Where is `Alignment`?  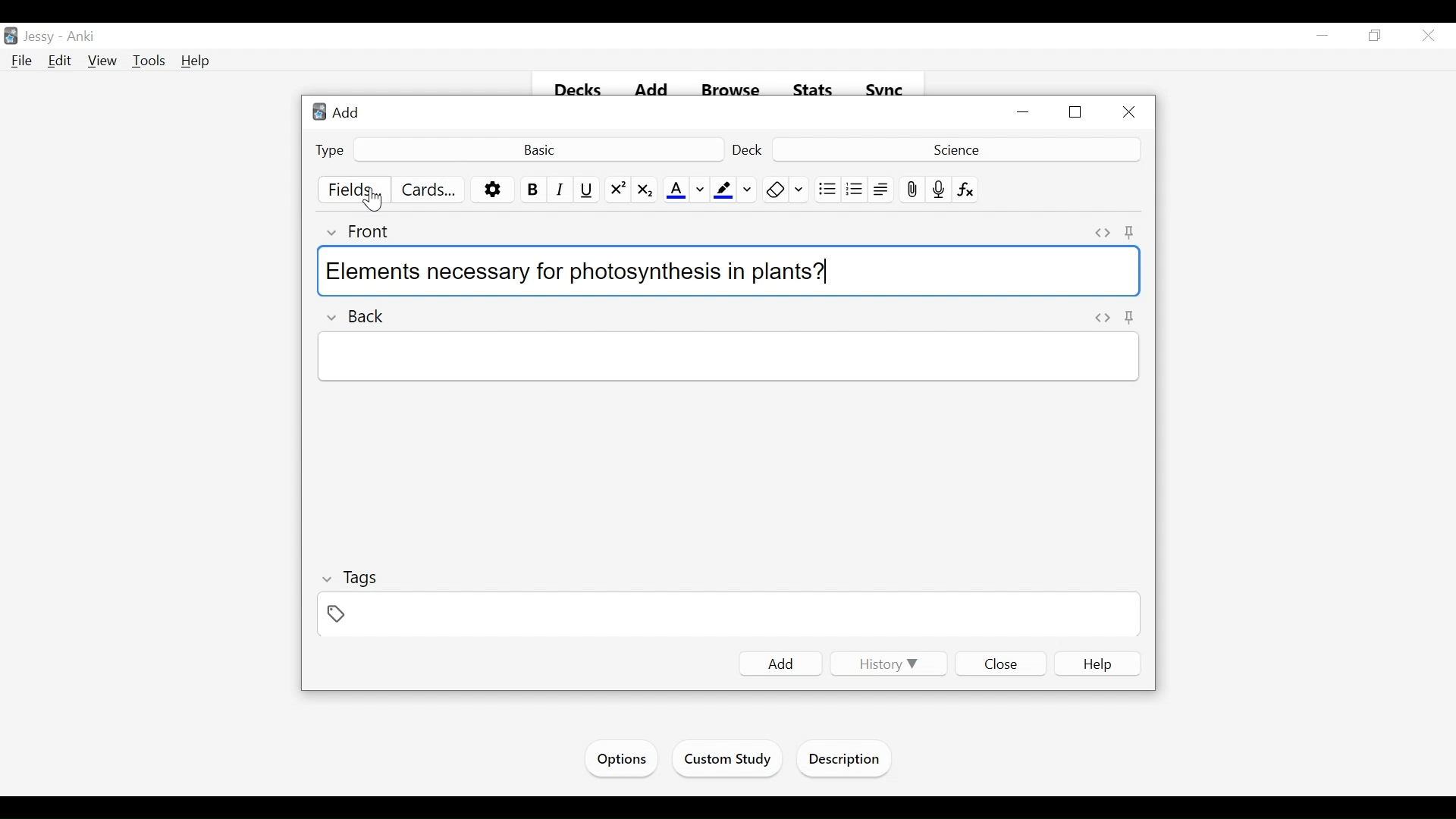 Alignment is located at coordinates (881, 190).